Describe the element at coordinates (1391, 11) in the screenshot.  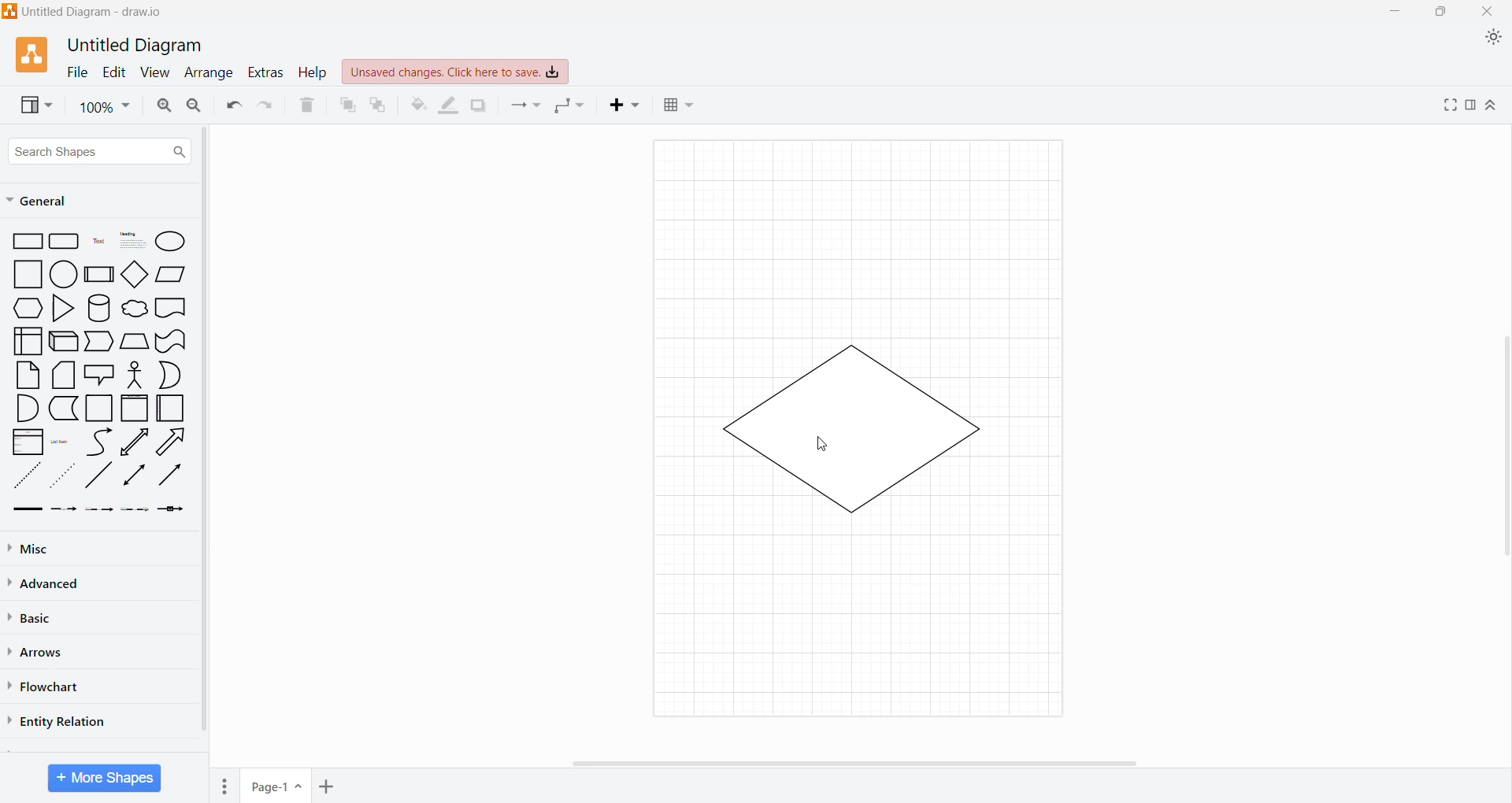
I see `Minimize` at that location.